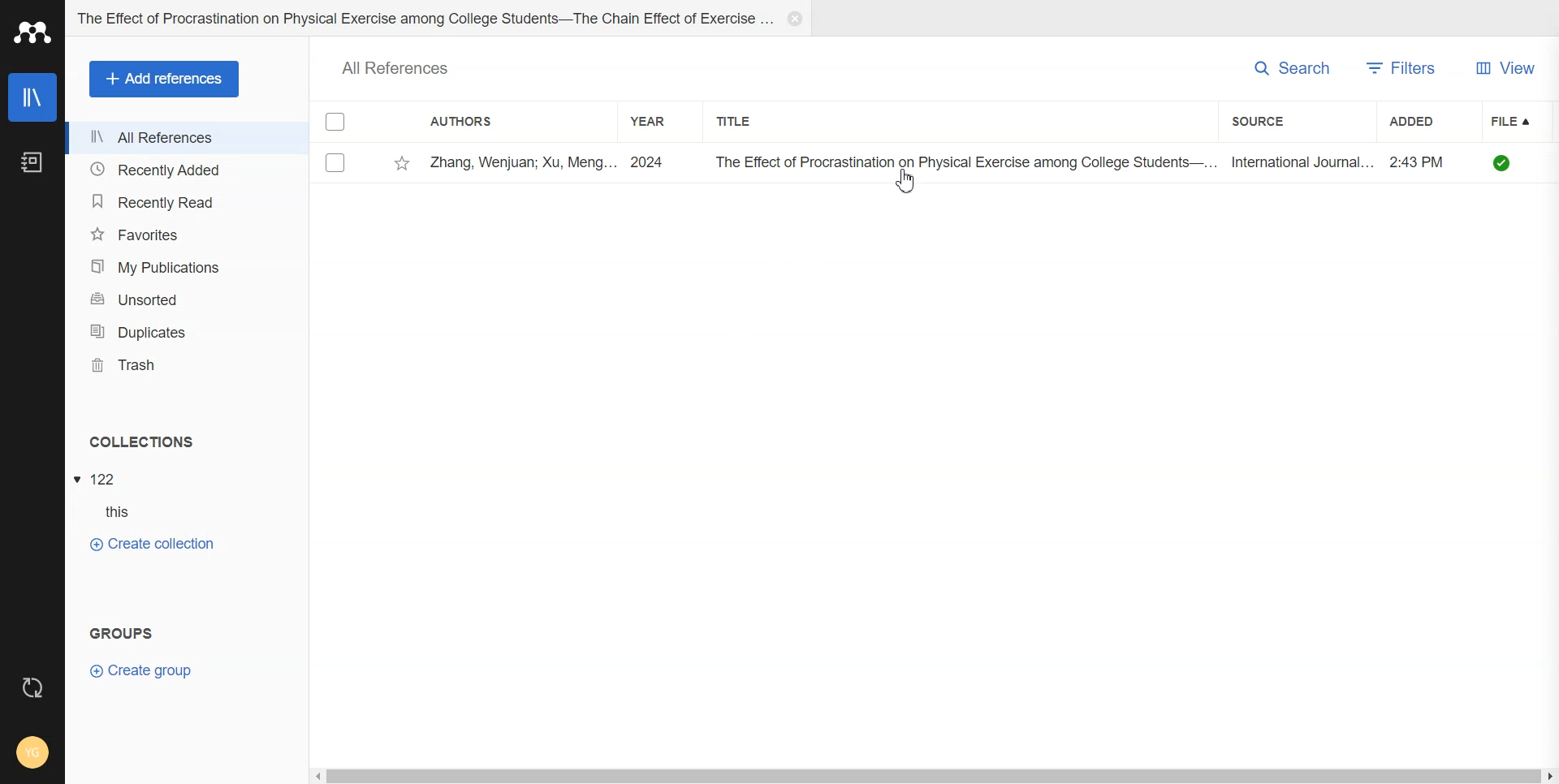 This screenshot has height=784, width=1559. What do you see at coordinates (337, 165) in the screenshot?
I see `Check box` at bounding box center [337, 165].